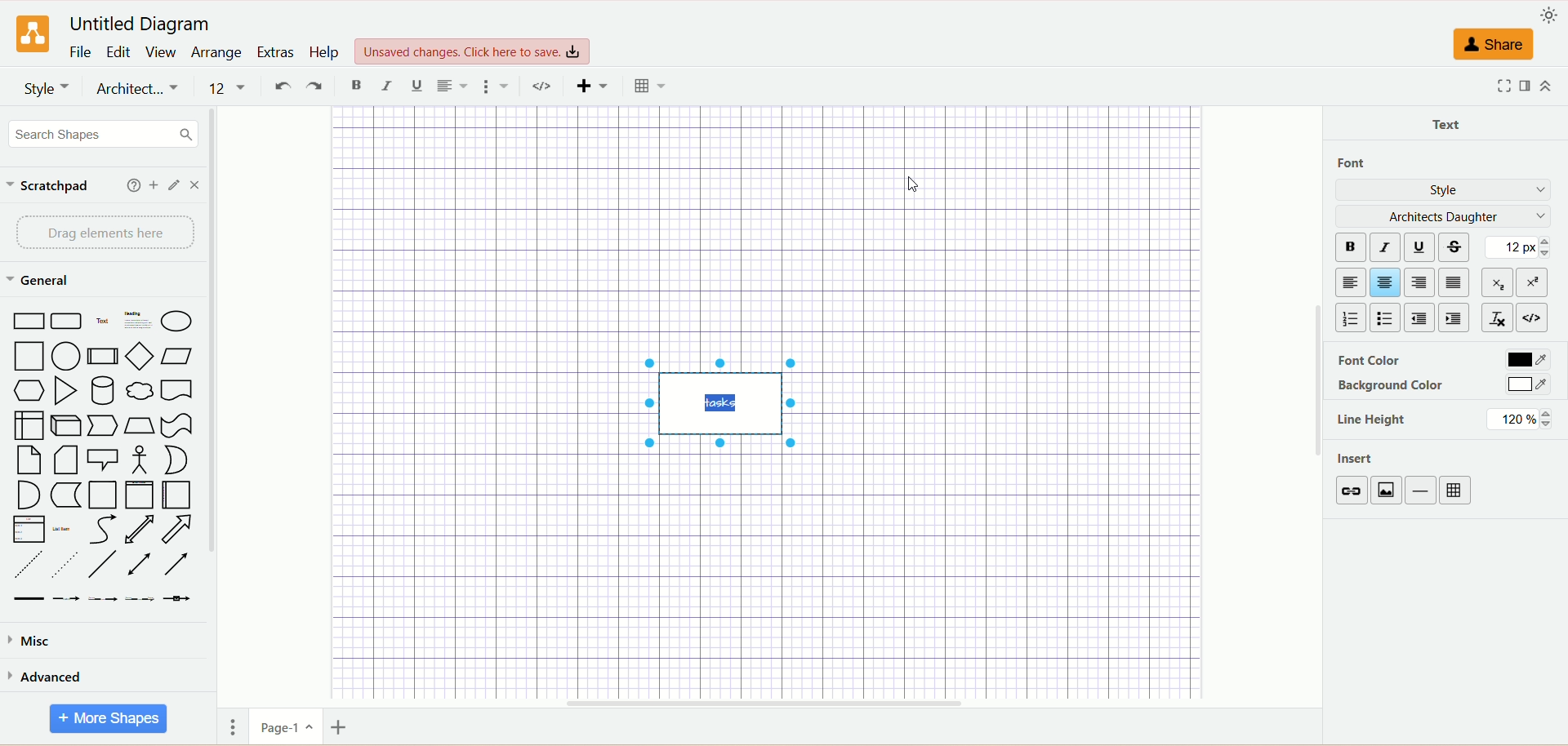  What do you see at coordinates (138, 322) in the screenshot?
I see `Heading with Text` at bounding box center [138, 322].